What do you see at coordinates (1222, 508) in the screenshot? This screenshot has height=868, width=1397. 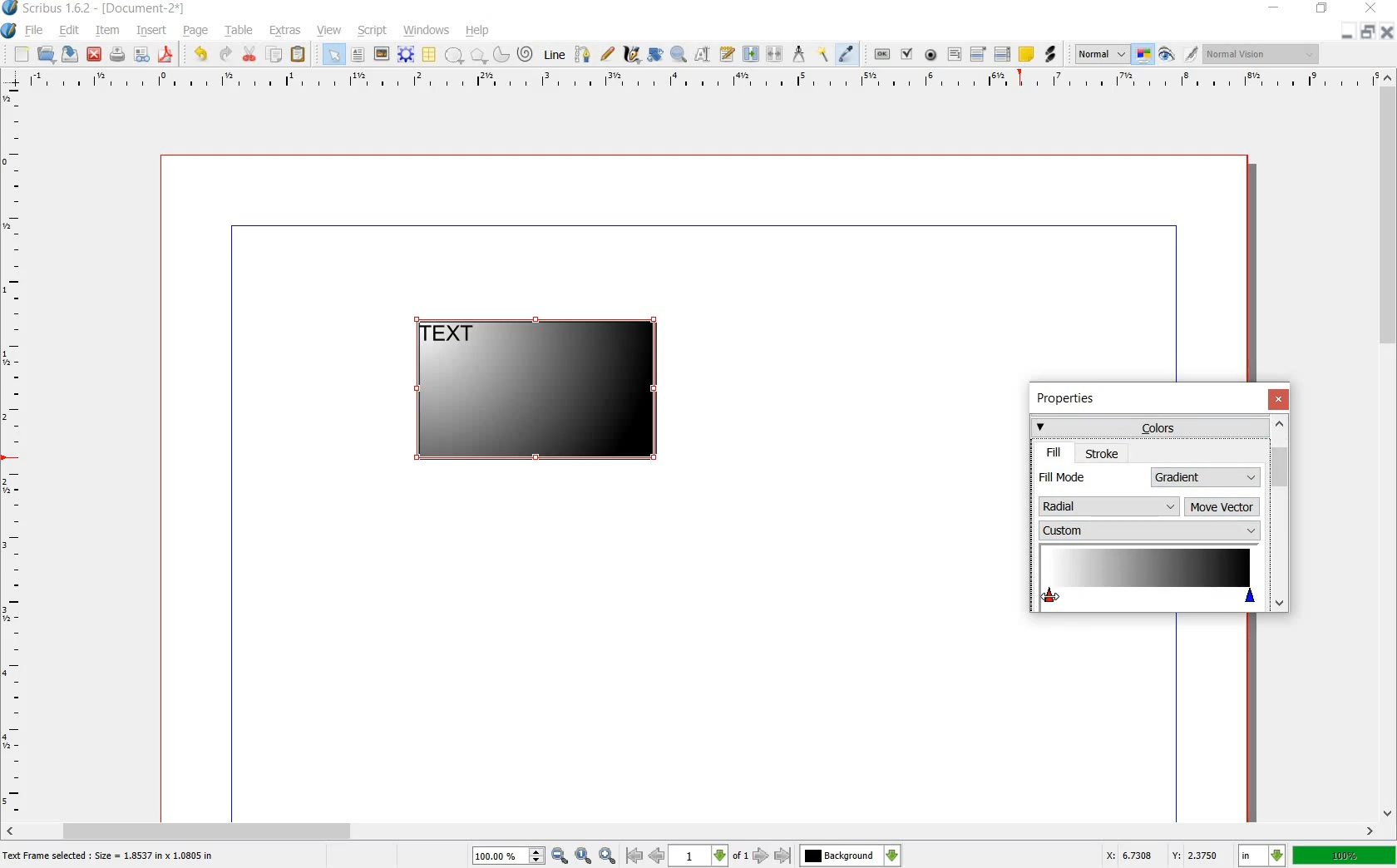 I see `move vector` at bounding box center [1222, 508].